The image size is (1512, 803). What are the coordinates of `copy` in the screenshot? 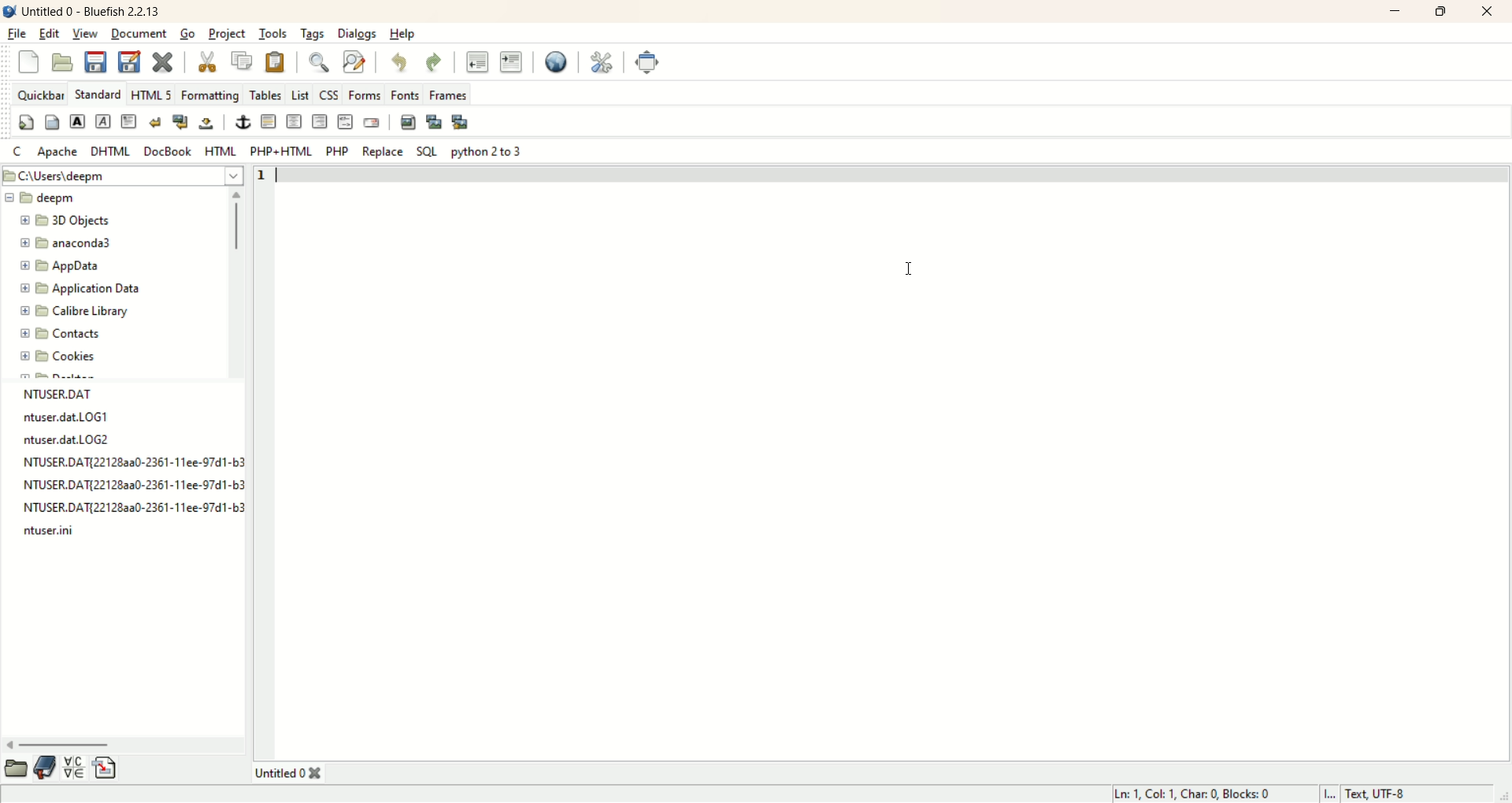 It's located at (243, 61).